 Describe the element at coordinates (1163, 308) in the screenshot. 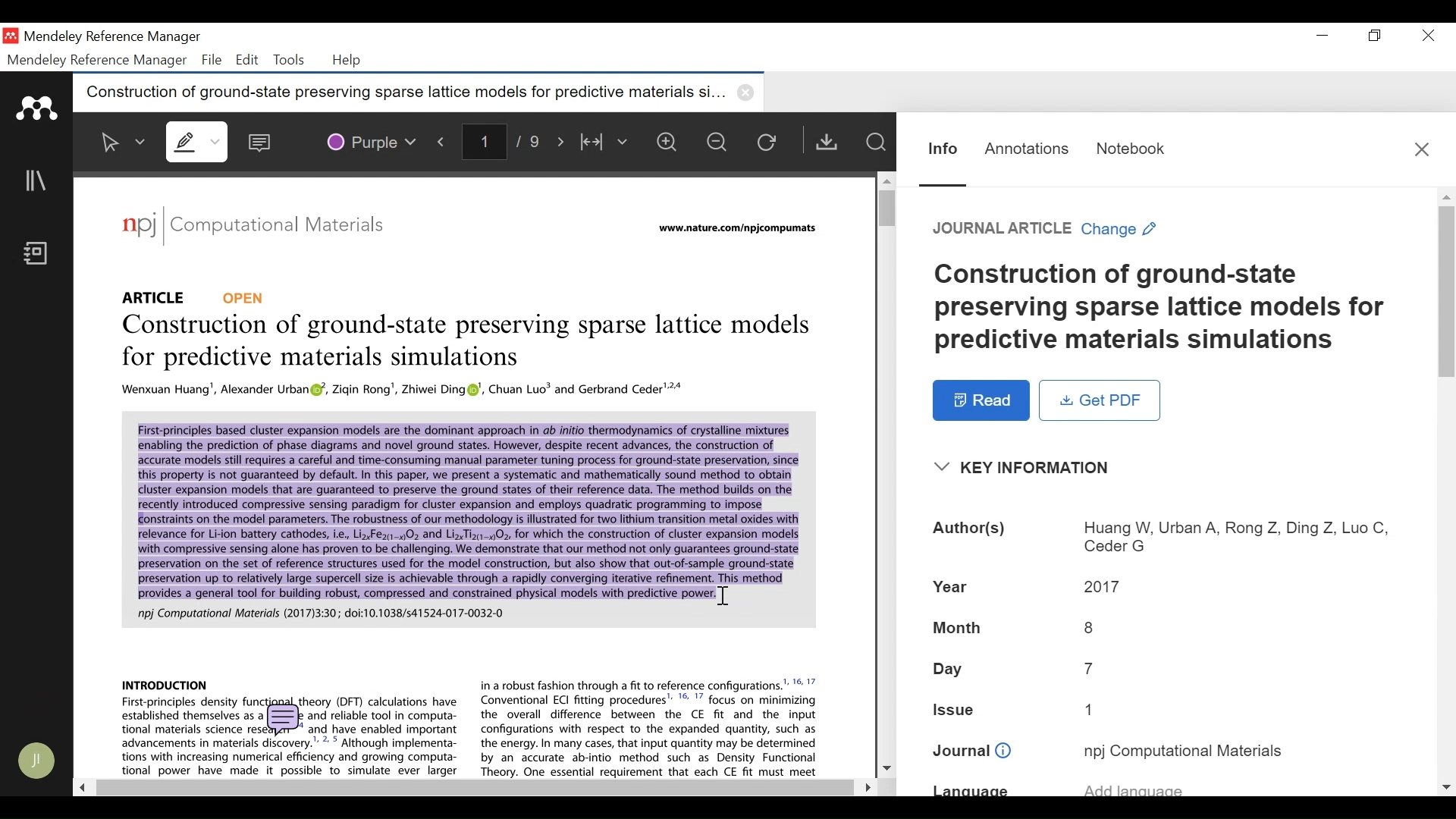

I see `Title` at that location.